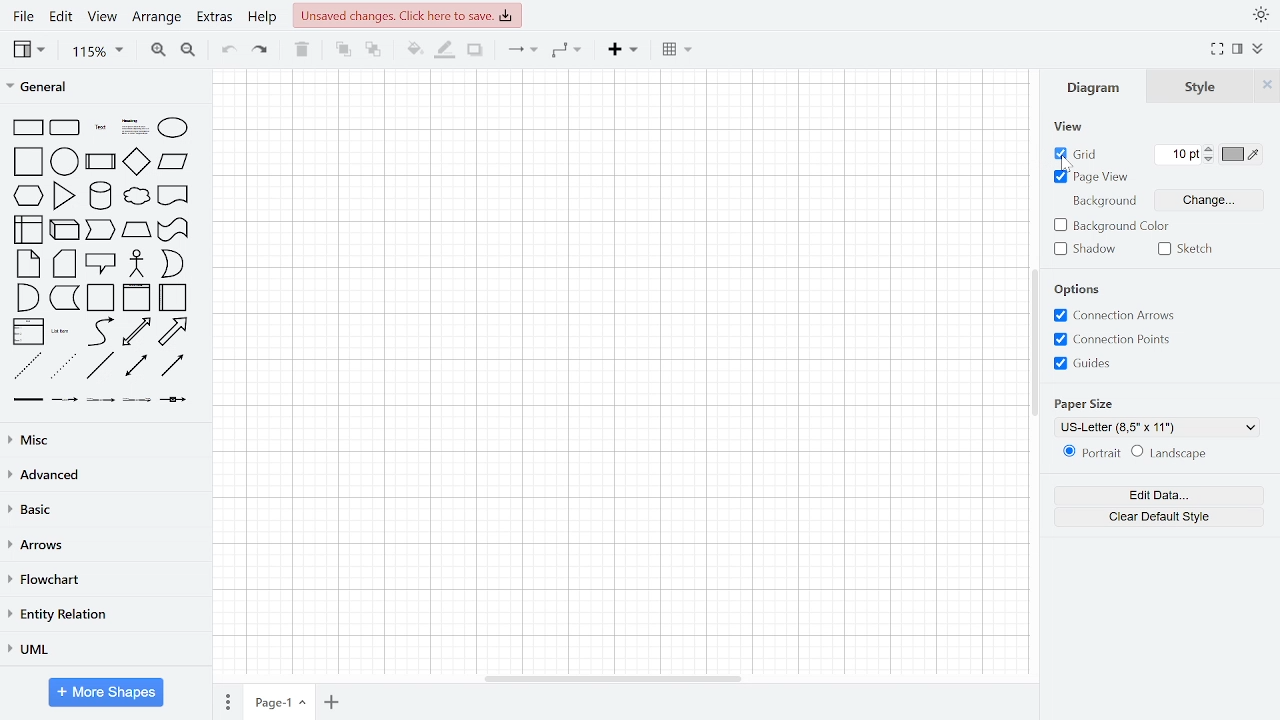  What do you see at coordinates (522, 49) in the screenshot?
I see `connector` at bounding box center [522, 49].